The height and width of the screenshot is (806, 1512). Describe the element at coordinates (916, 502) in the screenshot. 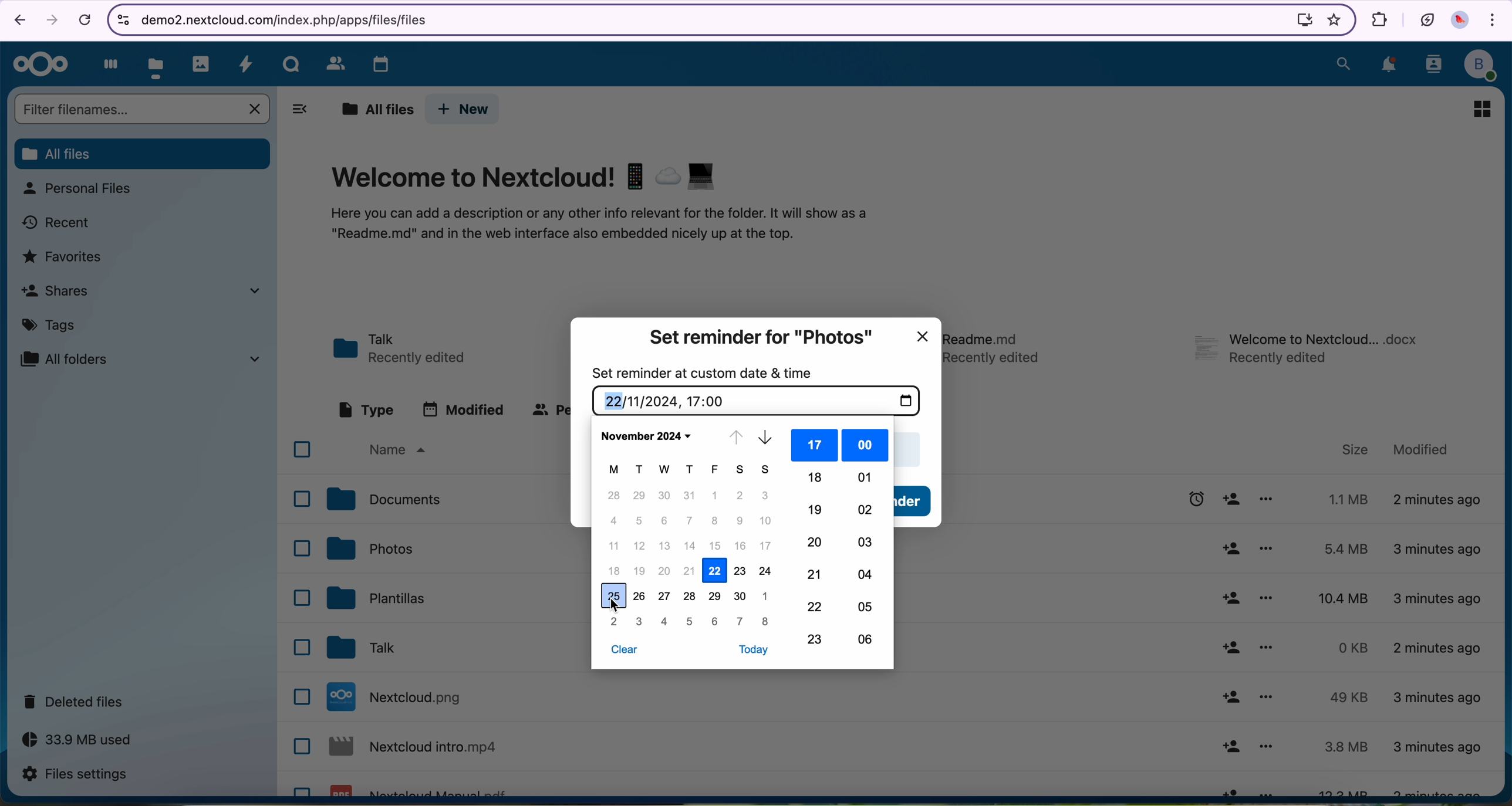

I see `half button` at that location.